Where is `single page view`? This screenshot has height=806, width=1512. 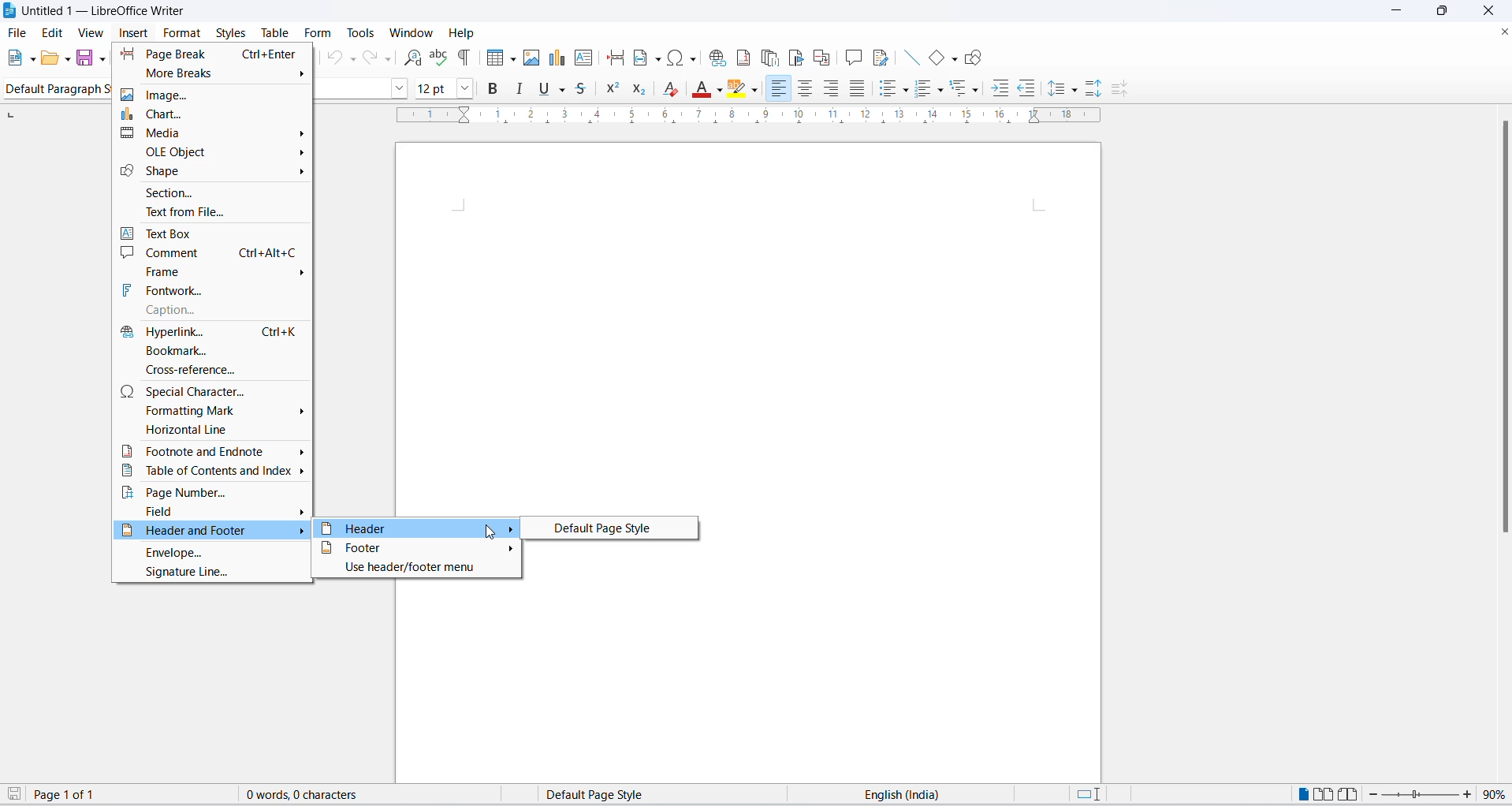 single page view is located at coordinates (1301, 794).